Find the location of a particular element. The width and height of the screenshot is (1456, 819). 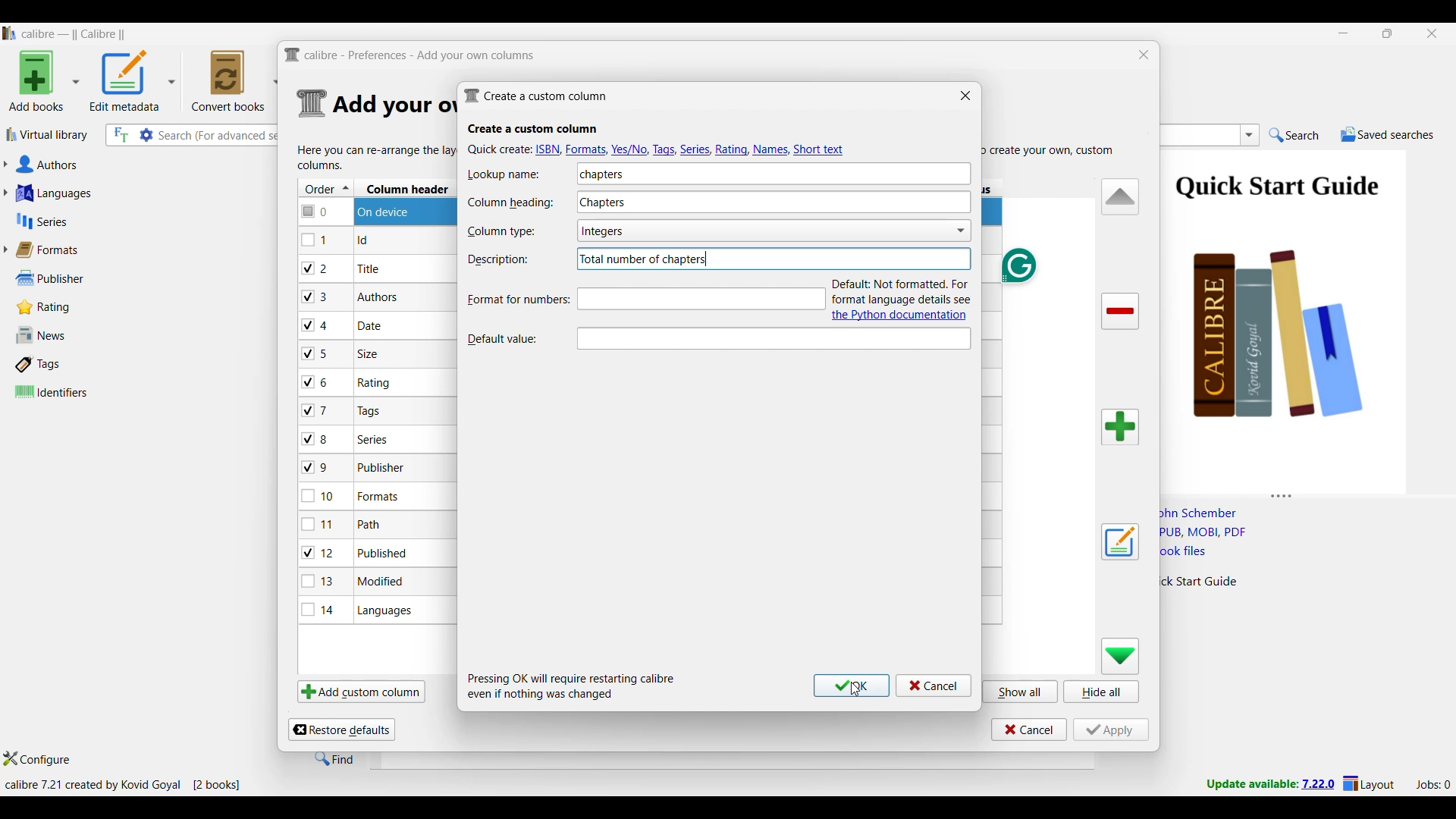

checkbox - 10 is located at coordinates (321, 497).